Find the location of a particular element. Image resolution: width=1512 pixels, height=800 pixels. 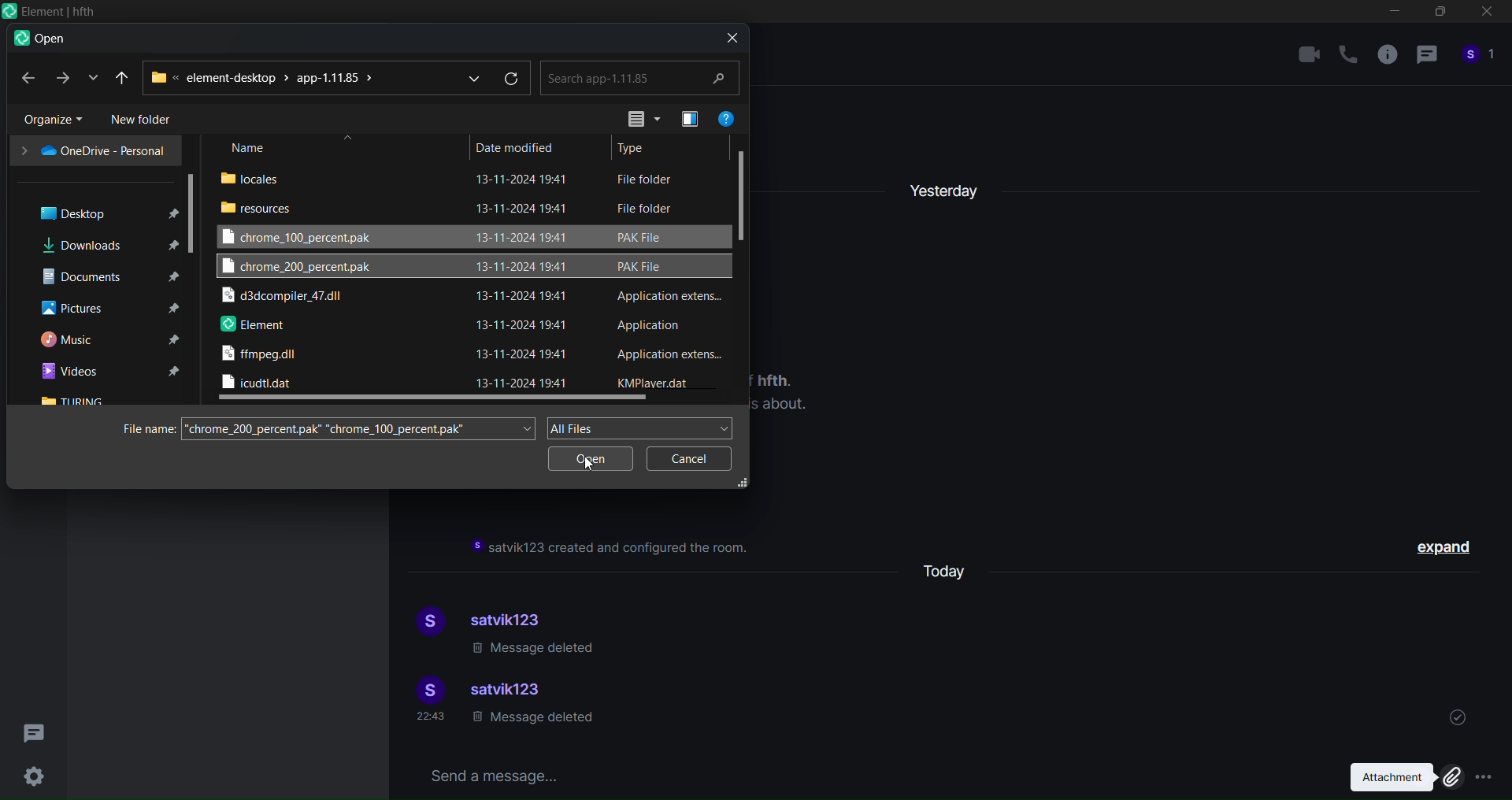

attachment is located at coordinates (1400, 777).